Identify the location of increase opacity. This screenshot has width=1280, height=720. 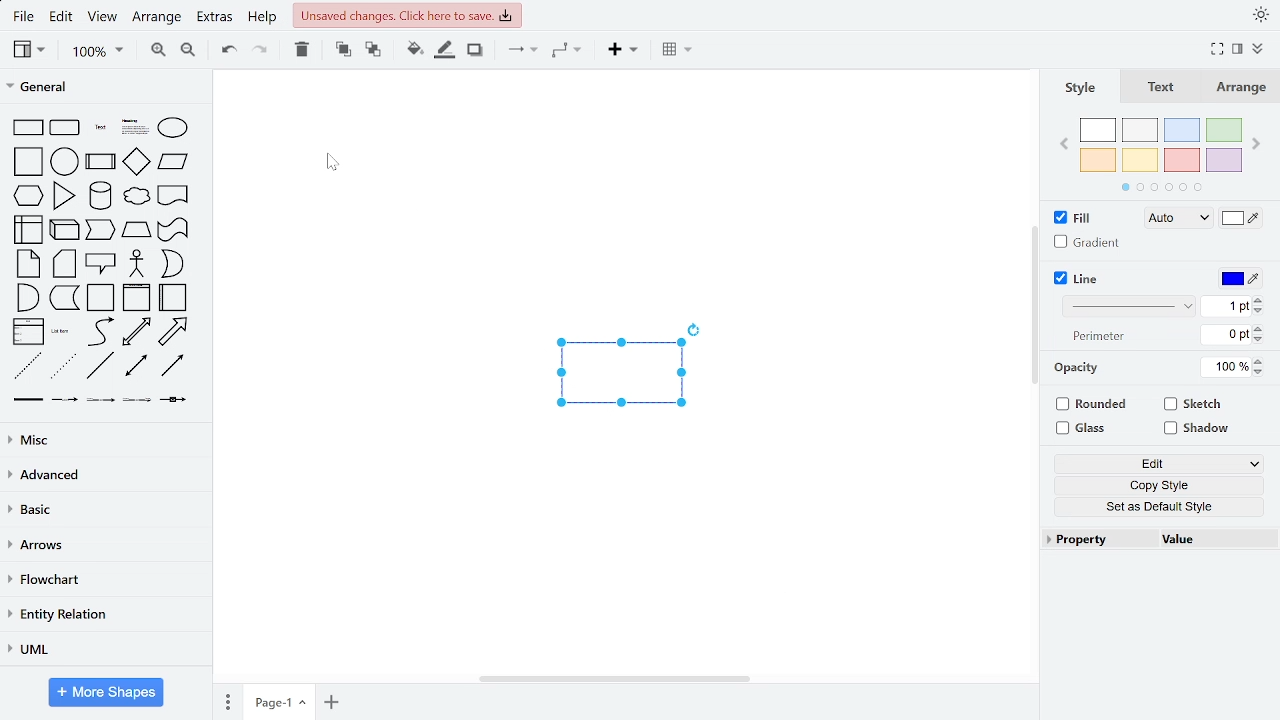
(1261, 362).